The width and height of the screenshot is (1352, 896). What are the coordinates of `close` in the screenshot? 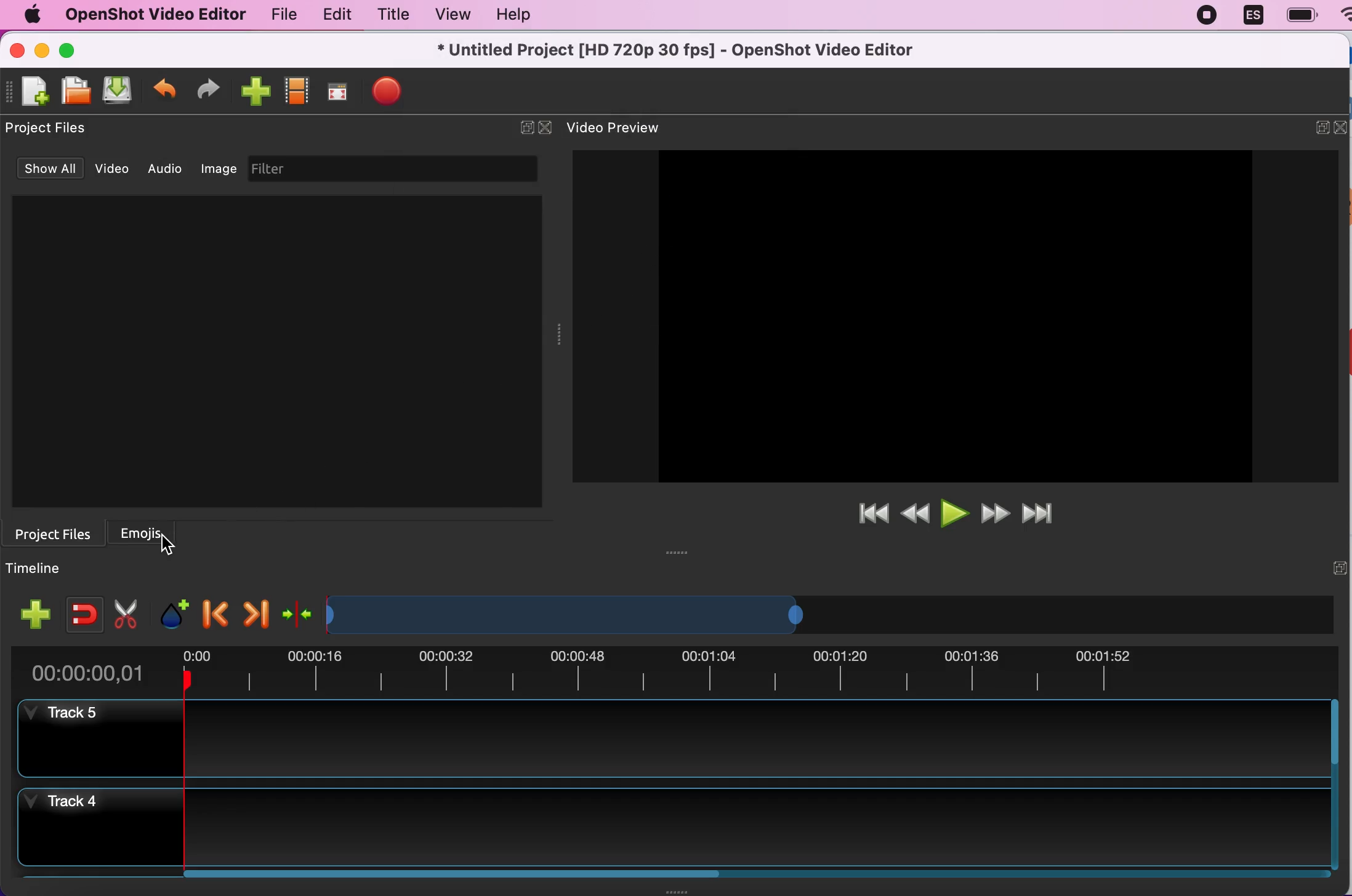 It's located at (549, 124).